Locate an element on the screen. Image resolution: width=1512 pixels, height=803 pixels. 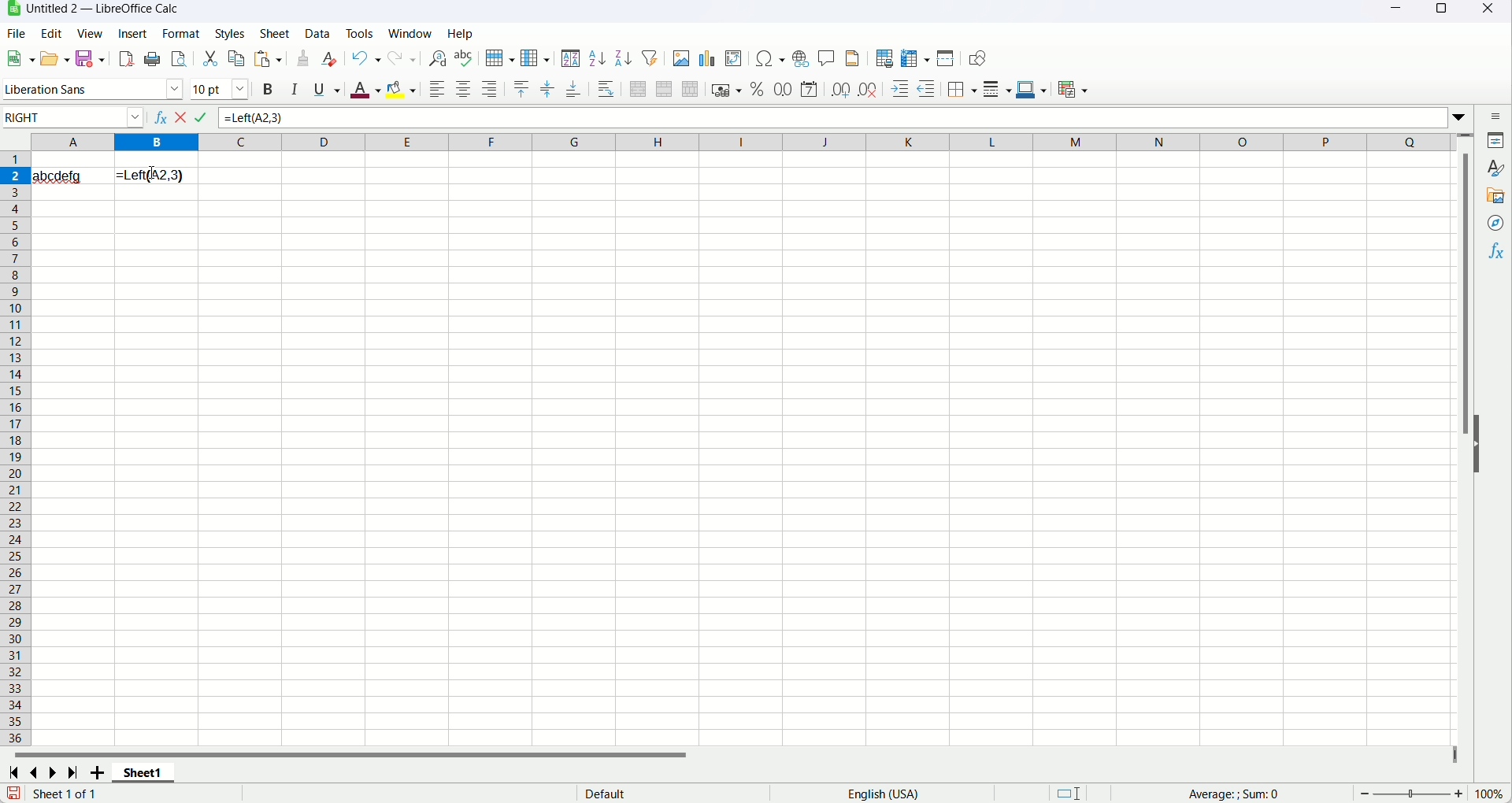
cut is located at coordinates (209, 58).